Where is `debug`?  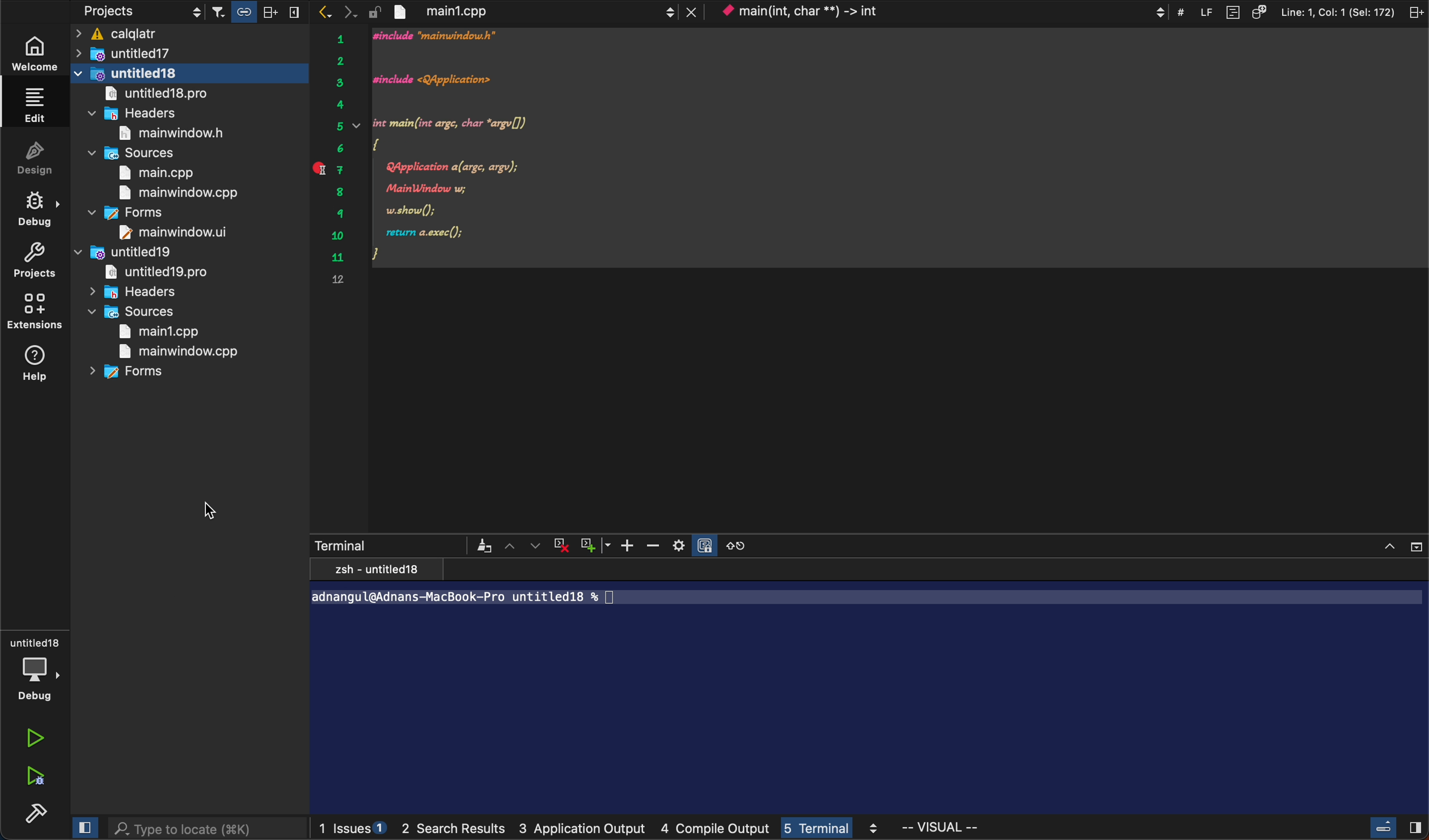 debug is located at coordinates (36, 663).